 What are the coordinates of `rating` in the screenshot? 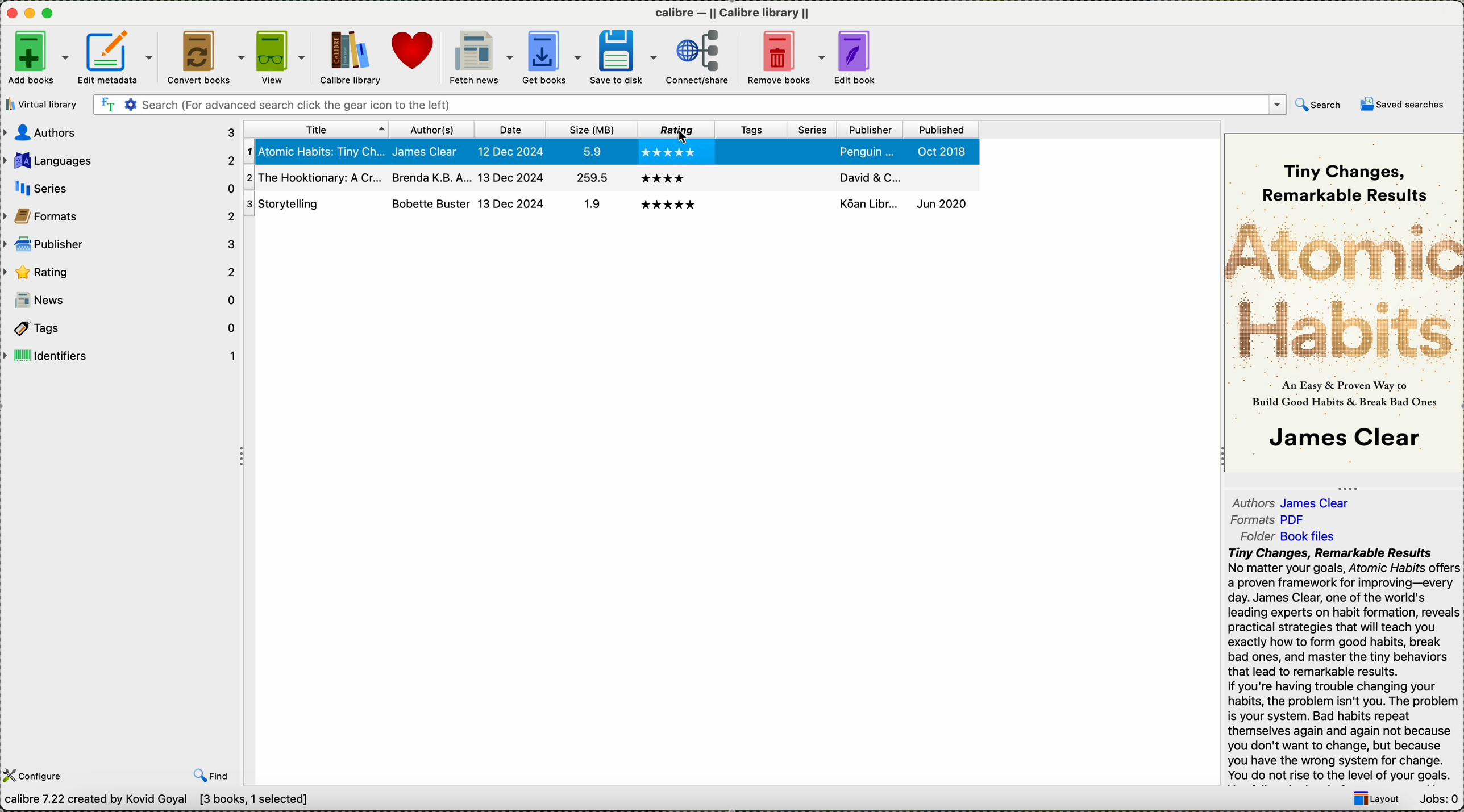 It's located at (120, 270).